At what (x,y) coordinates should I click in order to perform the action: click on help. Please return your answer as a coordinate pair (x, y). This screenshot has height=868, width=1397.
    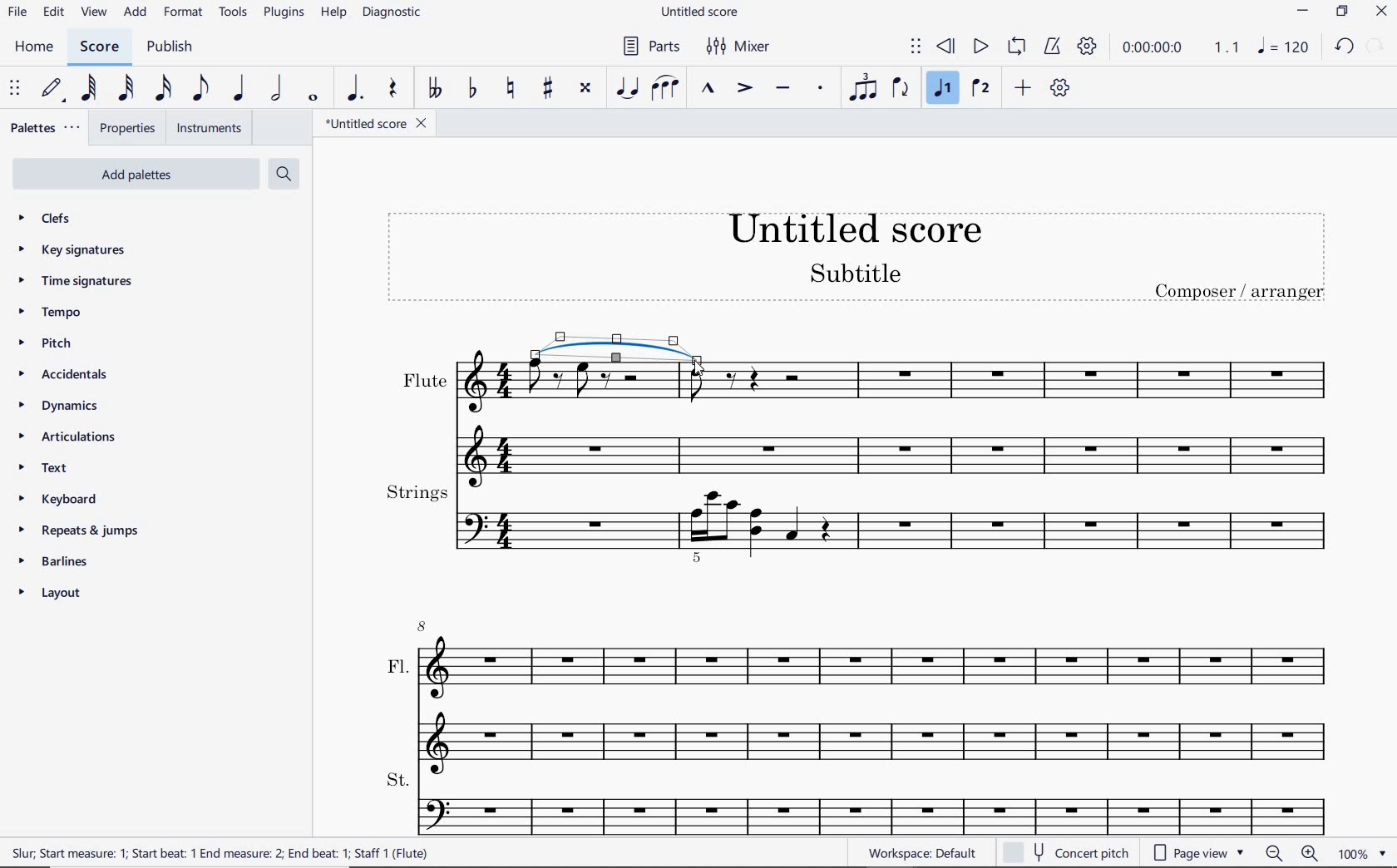
    Looking at the image, I should click on (333, 13).